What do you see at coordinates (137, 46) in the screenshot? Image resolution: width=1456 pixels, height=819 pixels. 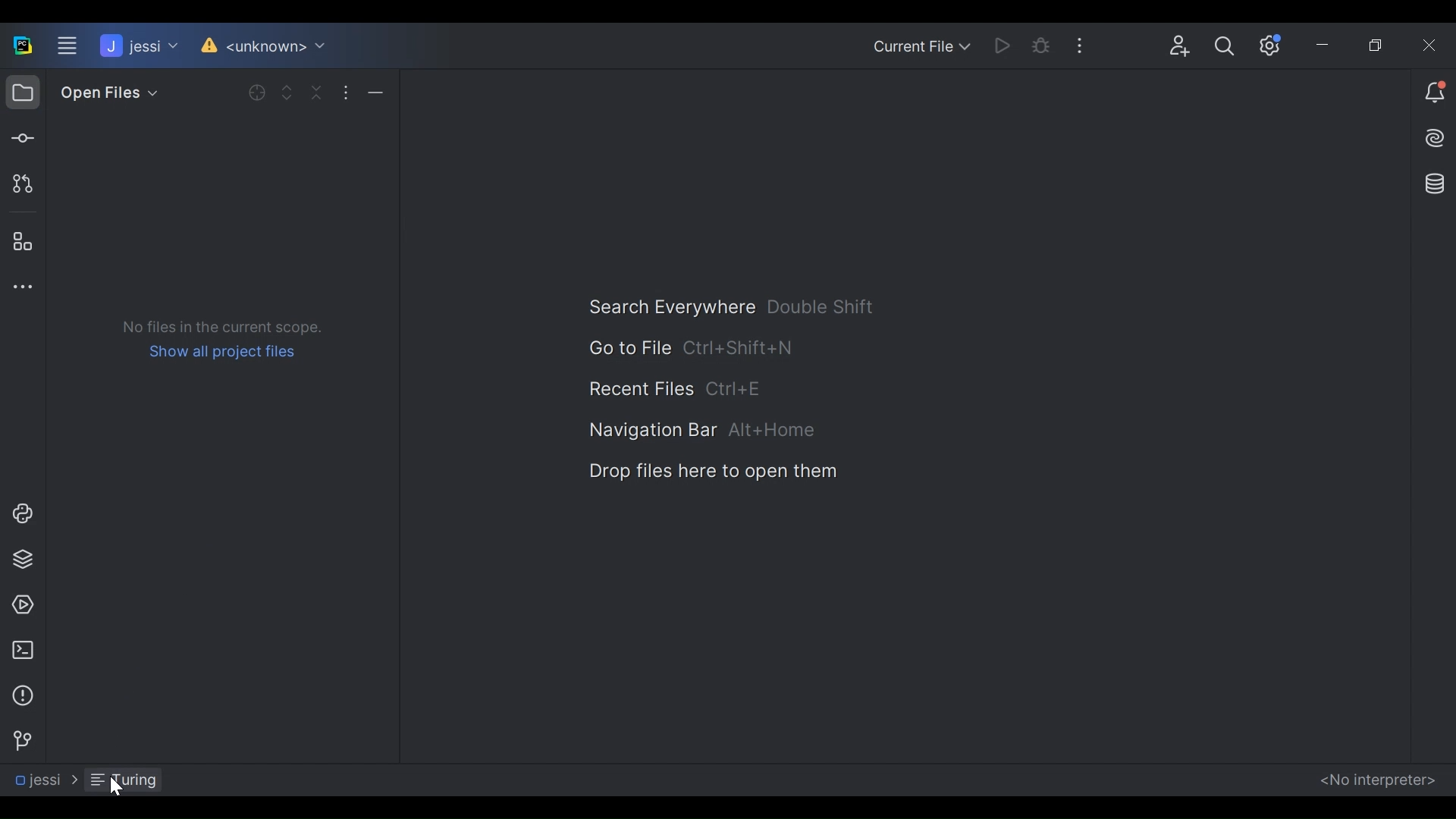 I see `Project Name` at bounding box center [137, 46].